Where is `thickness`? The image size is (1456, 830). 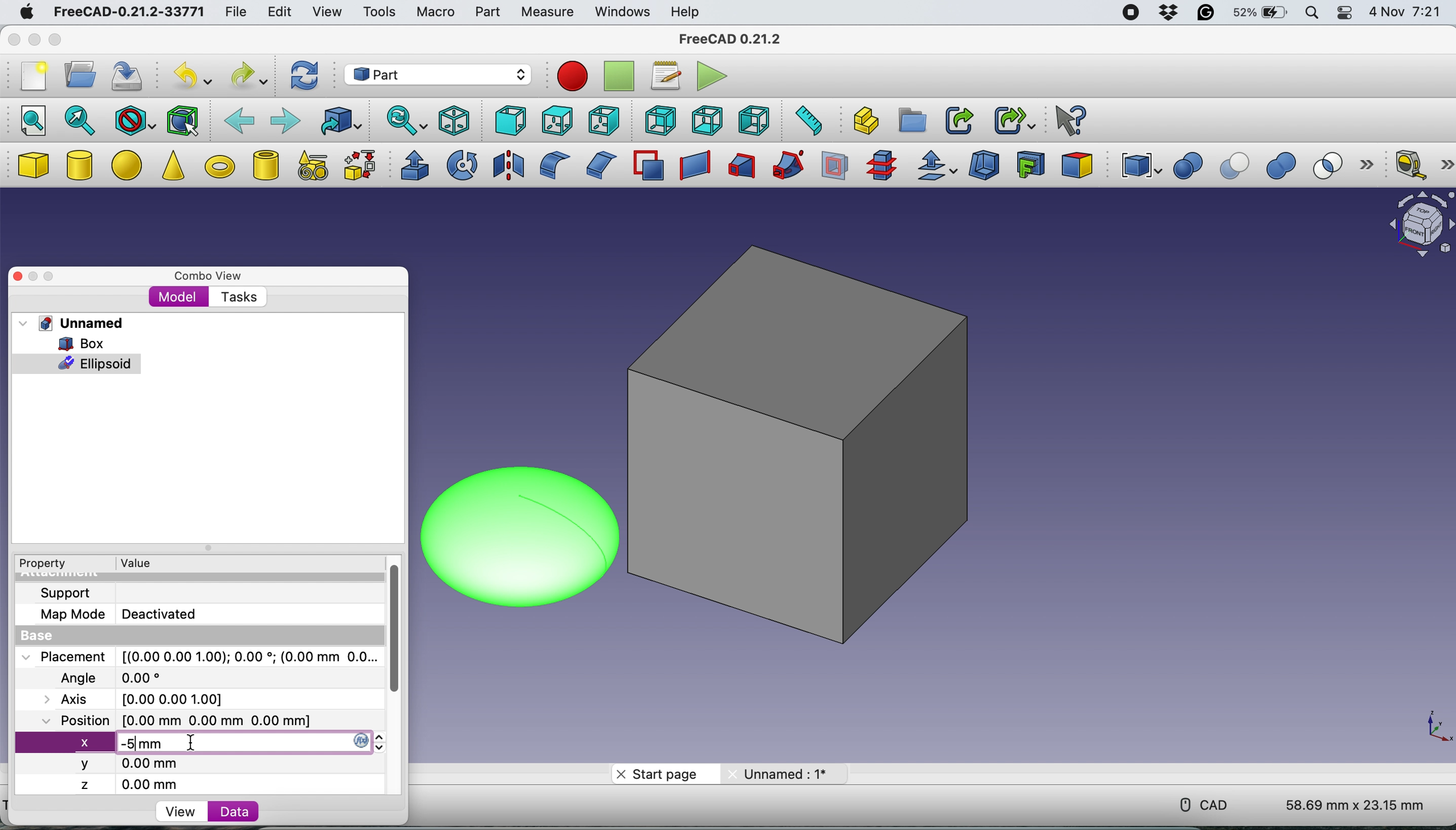
thickness is located at coordinates (985, 166).